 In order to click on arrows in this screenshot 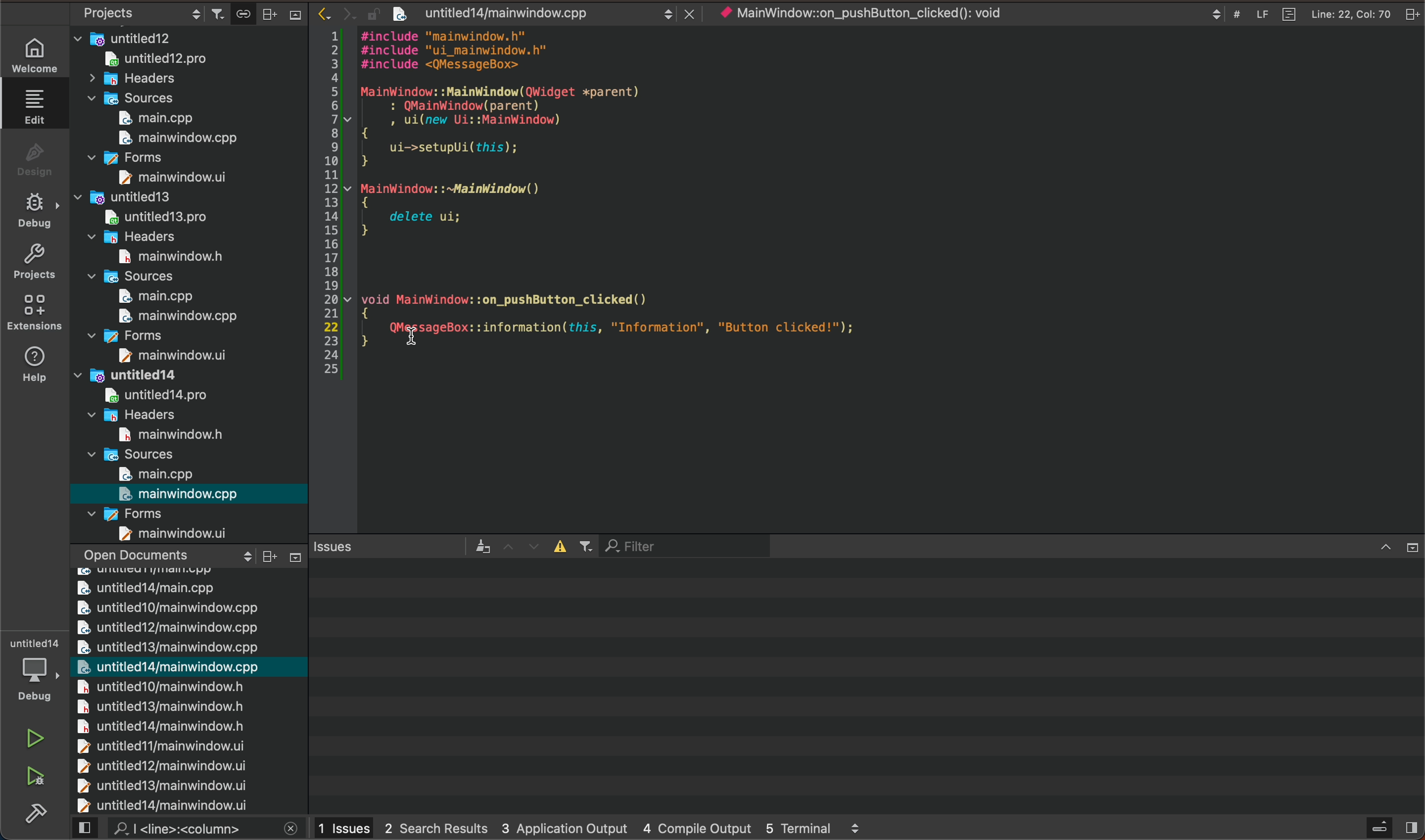, I will do `click(523, 546)`.